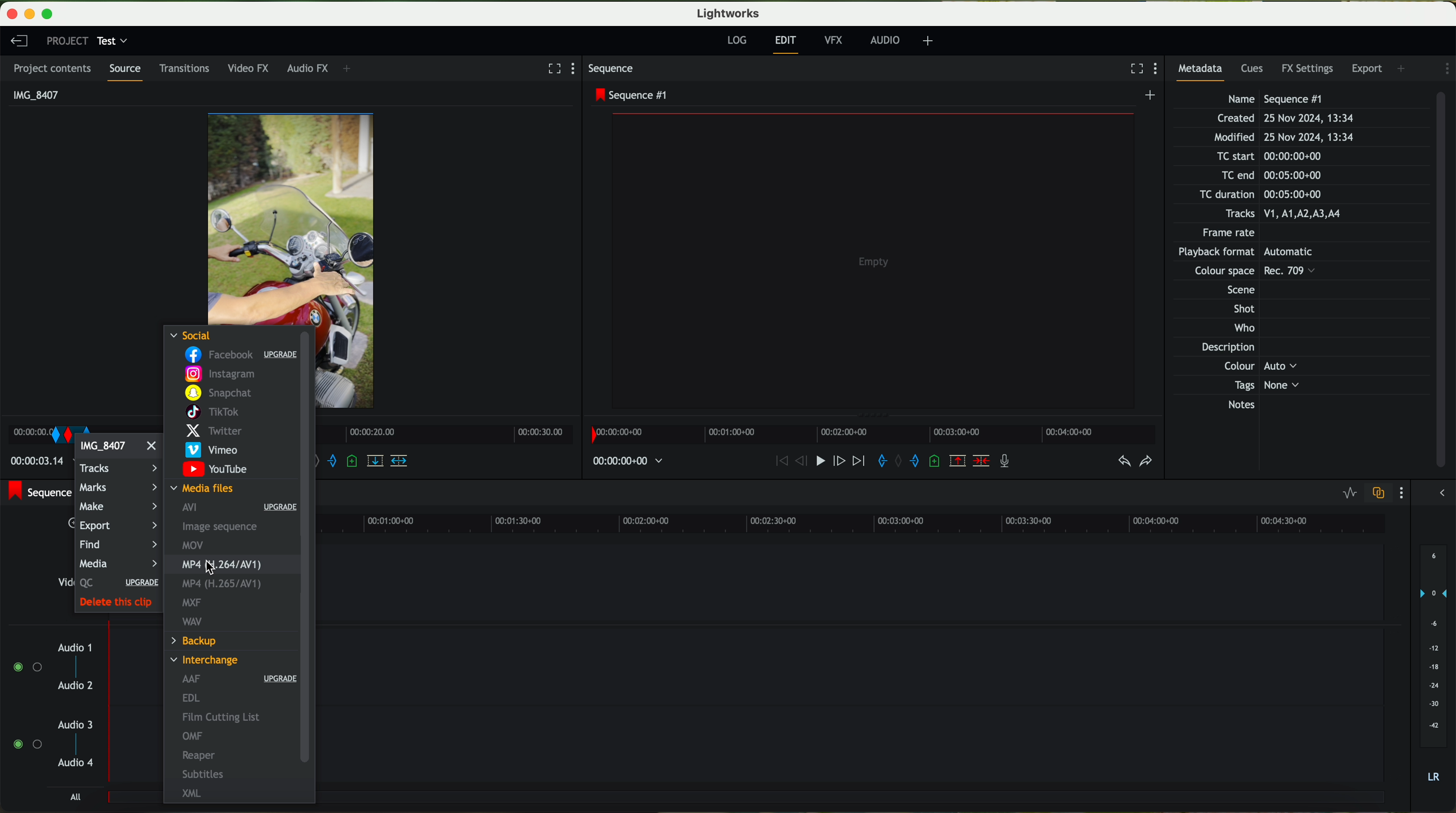  What do you see at coordinates (1006, 460) in the screenshot?
I see `record a voice over` at bounding box center [1006, 460].